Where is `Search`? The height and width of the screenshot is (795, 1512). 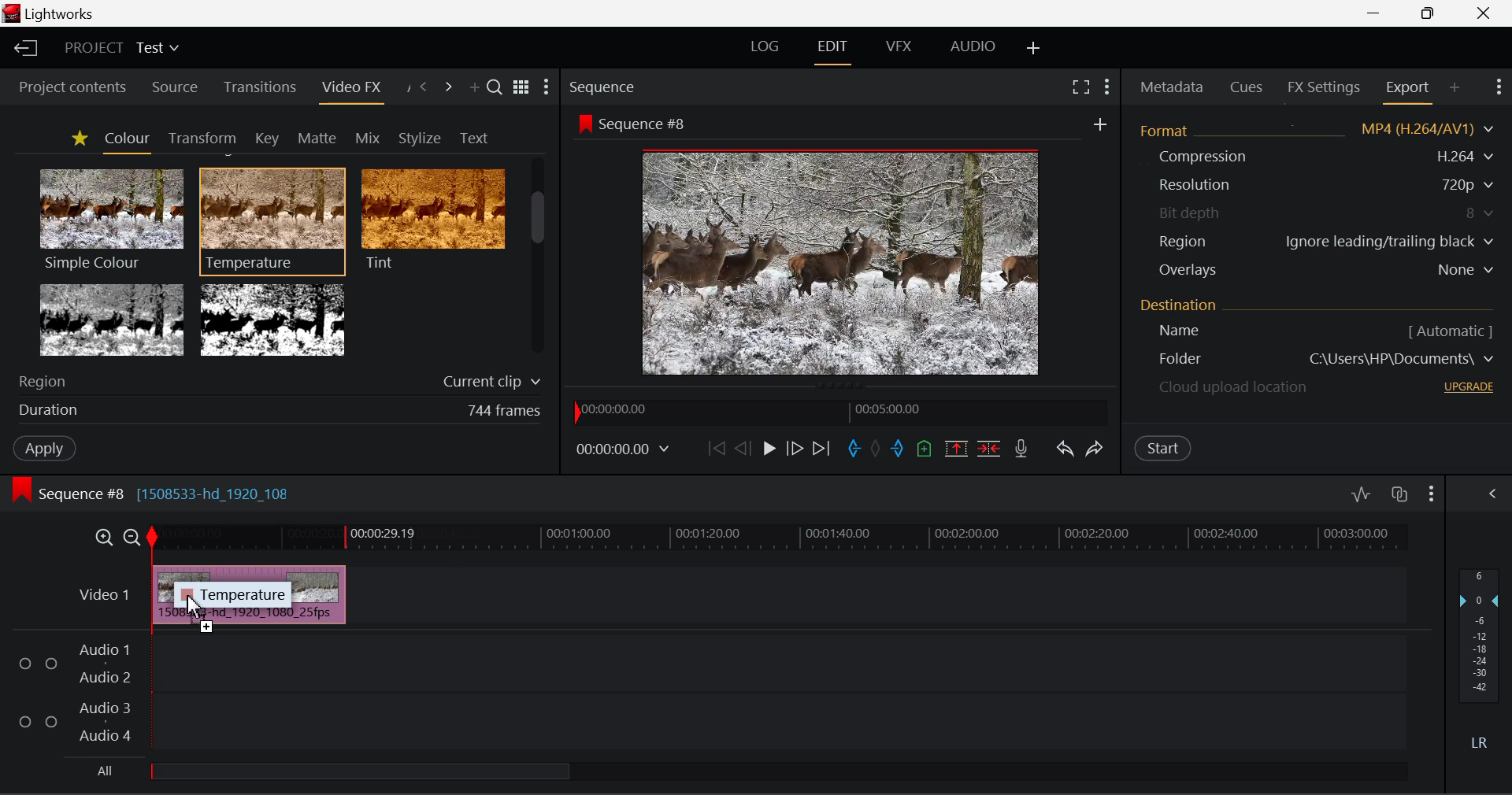 Search is located at coordinates (496, 90).